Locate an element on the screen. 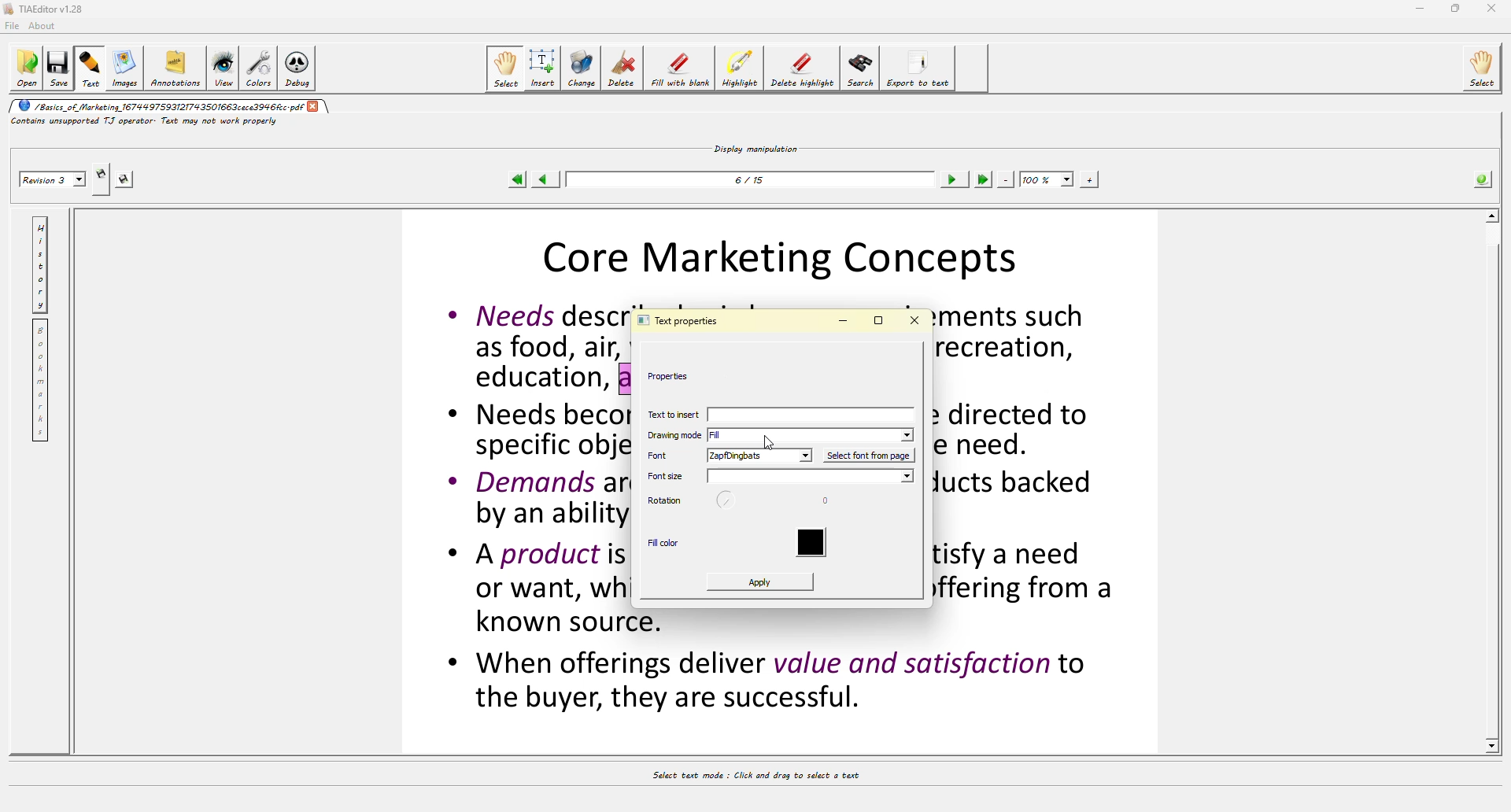 The image size is (1511, 812). change is located at coordinates (581, 68).